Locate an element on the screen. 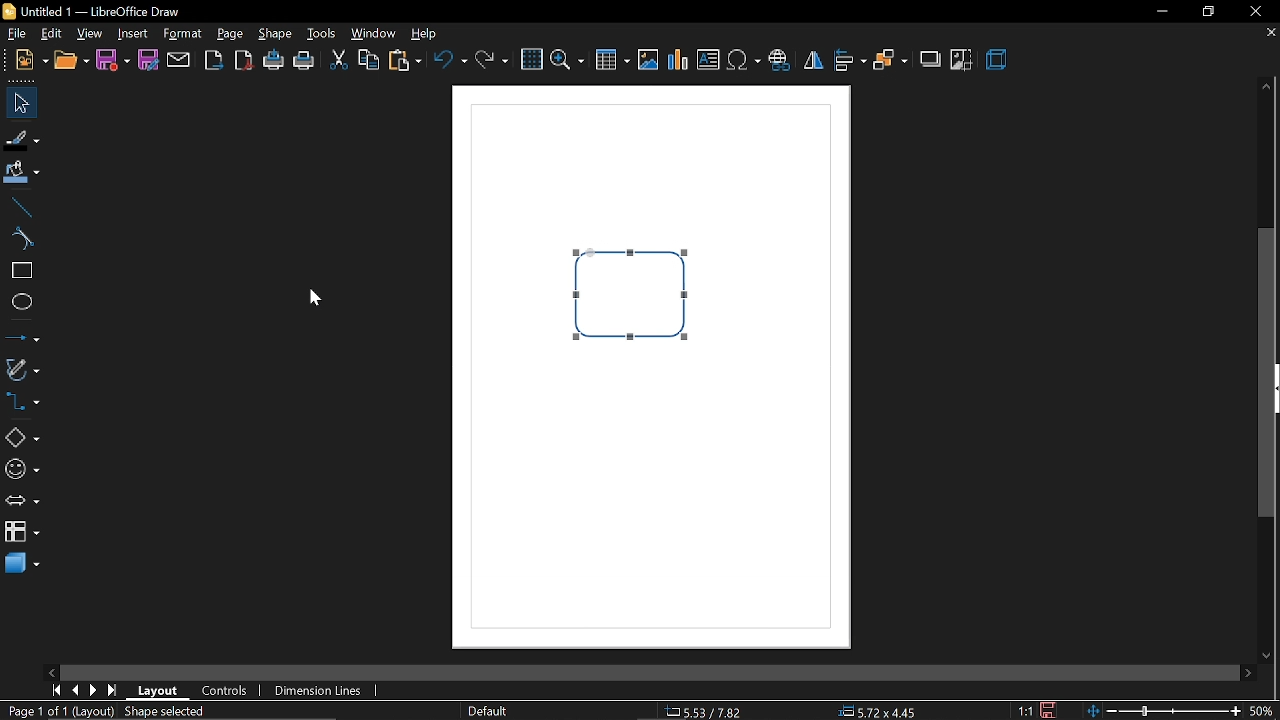  curve is located at coordinates (23, 238).